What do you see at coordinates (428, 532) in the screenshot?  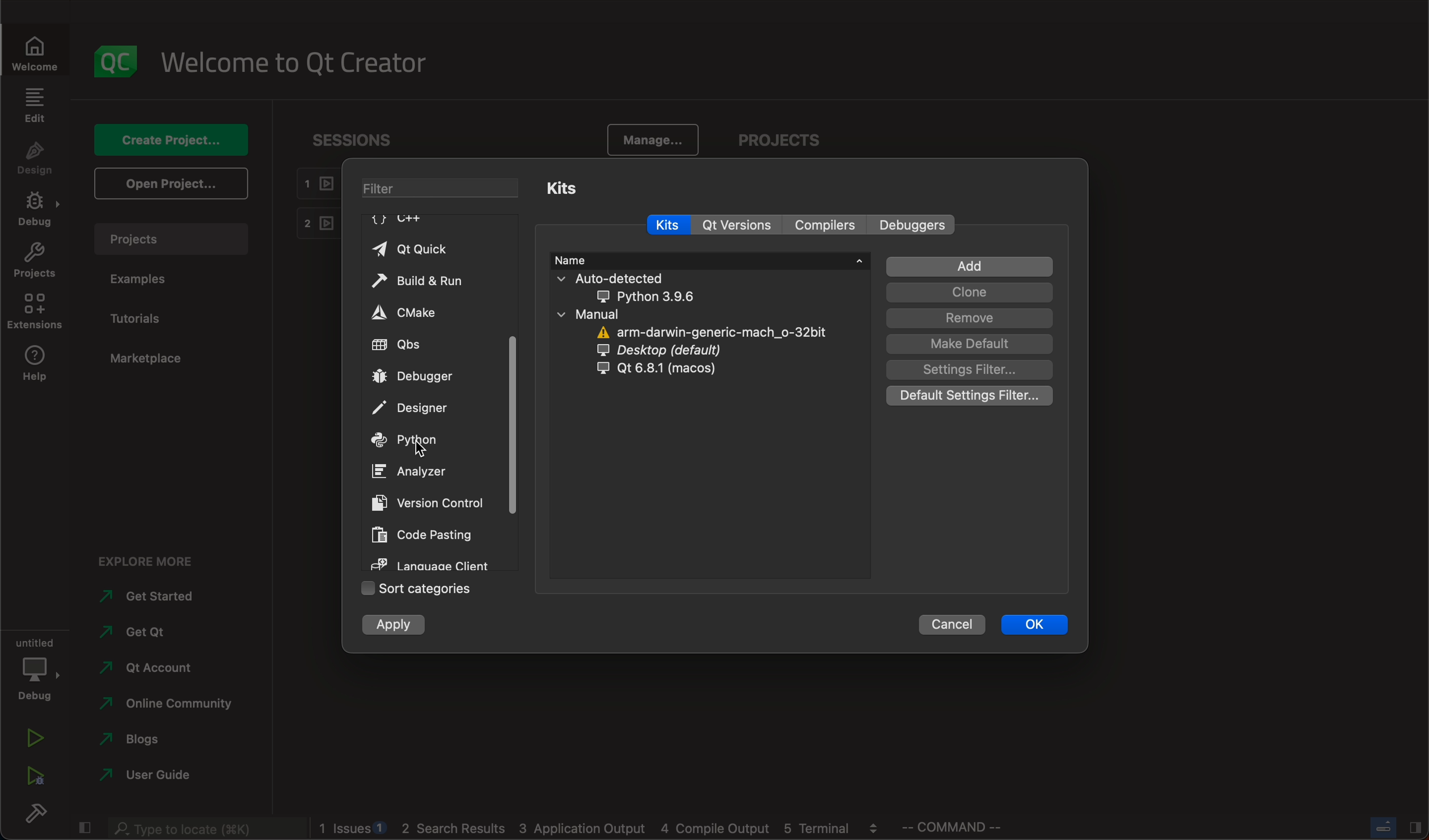 I see `code ` at bounding box center [428, 532].